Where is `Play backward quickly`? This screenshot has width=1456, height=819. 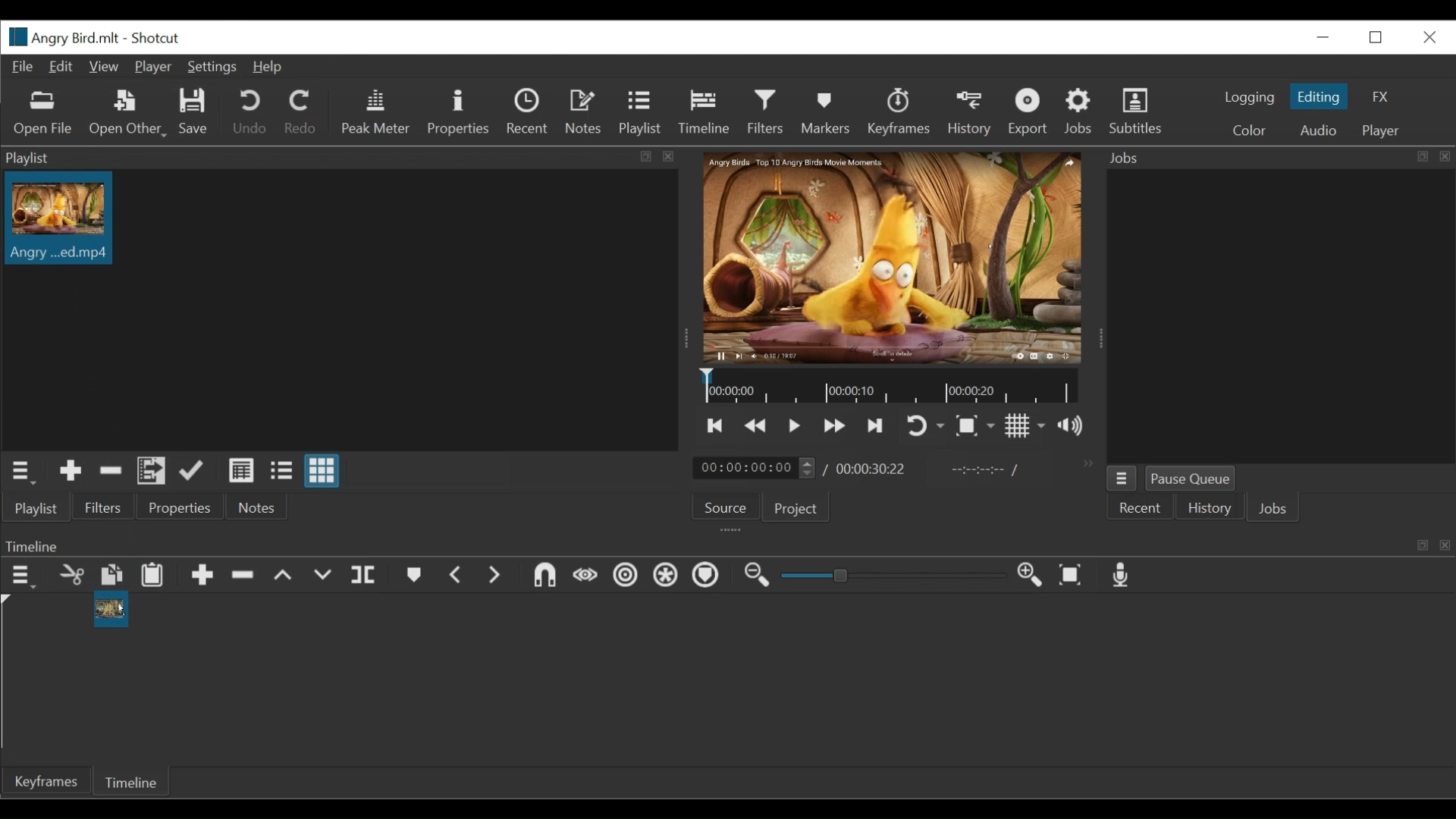
Play backward quickly is located at coordinates (754, 425).